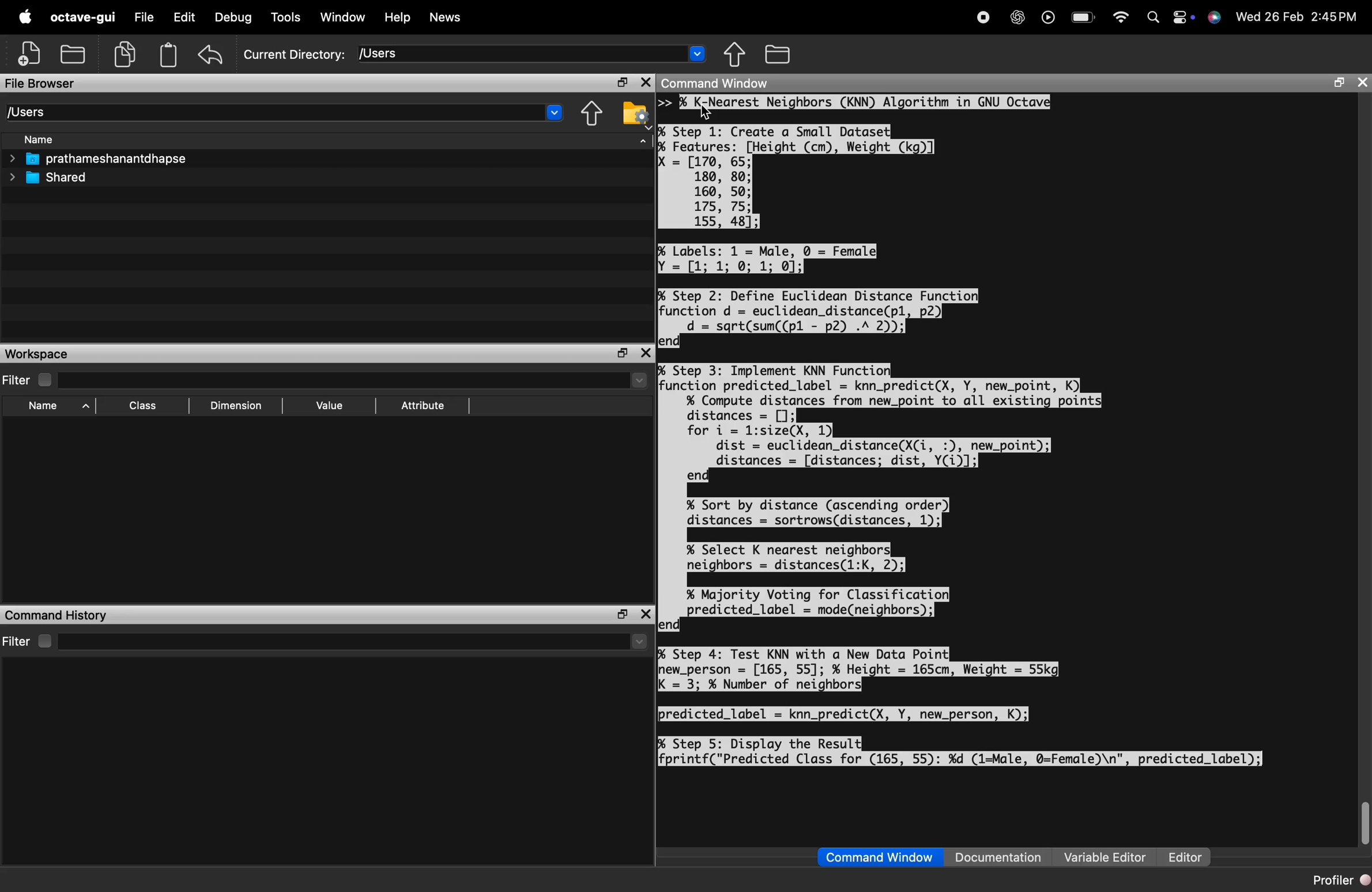 This screenshot has width=1372, height=892. Describe the element at coordinates (992, 852) in the screenshot. I see `1 Documentation` at that location.